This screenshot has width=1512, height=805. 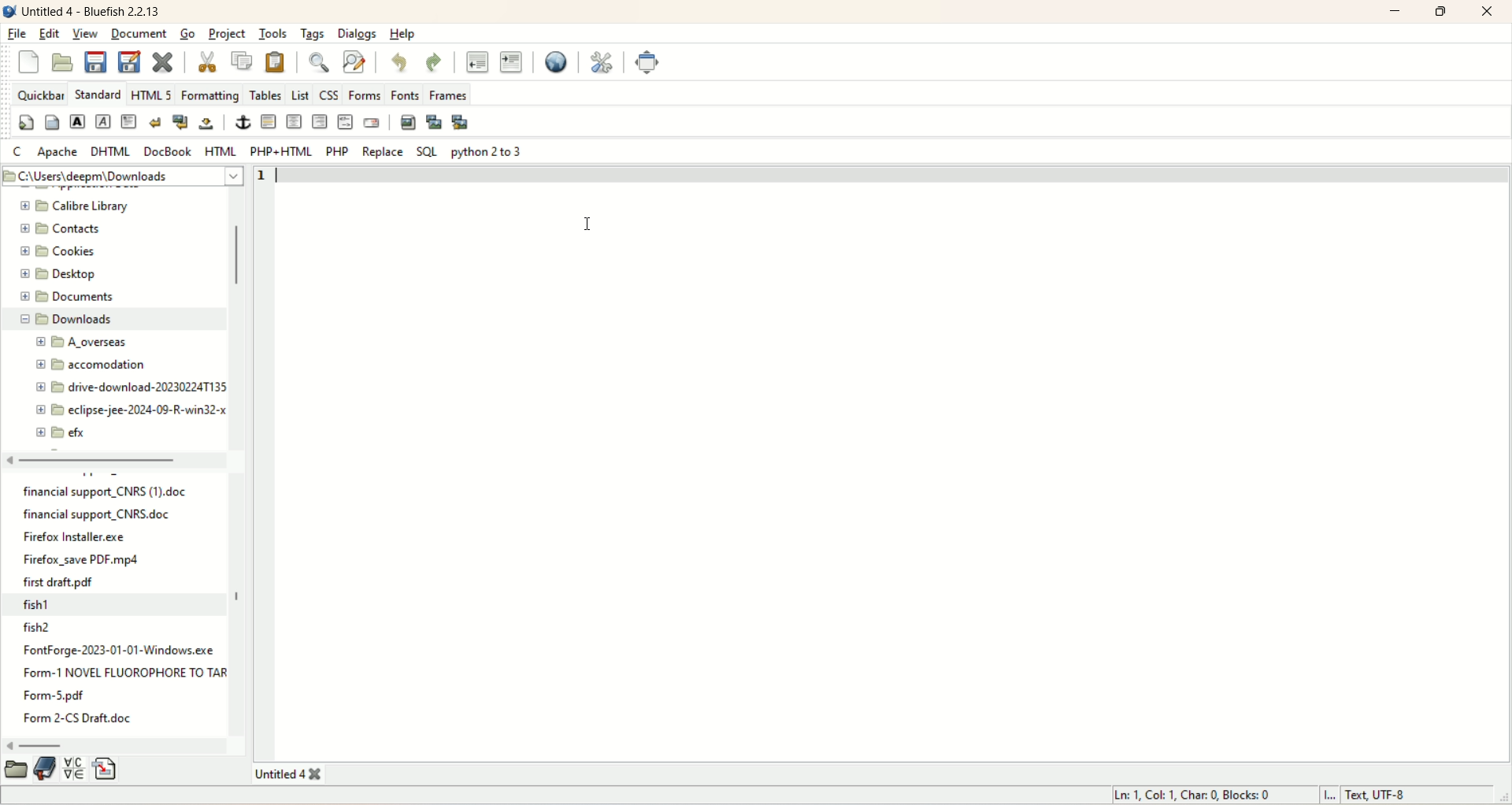 What do you see at coordinates (294, 121) in the screenshot?
I see `center` at bounding box center [294, 121].